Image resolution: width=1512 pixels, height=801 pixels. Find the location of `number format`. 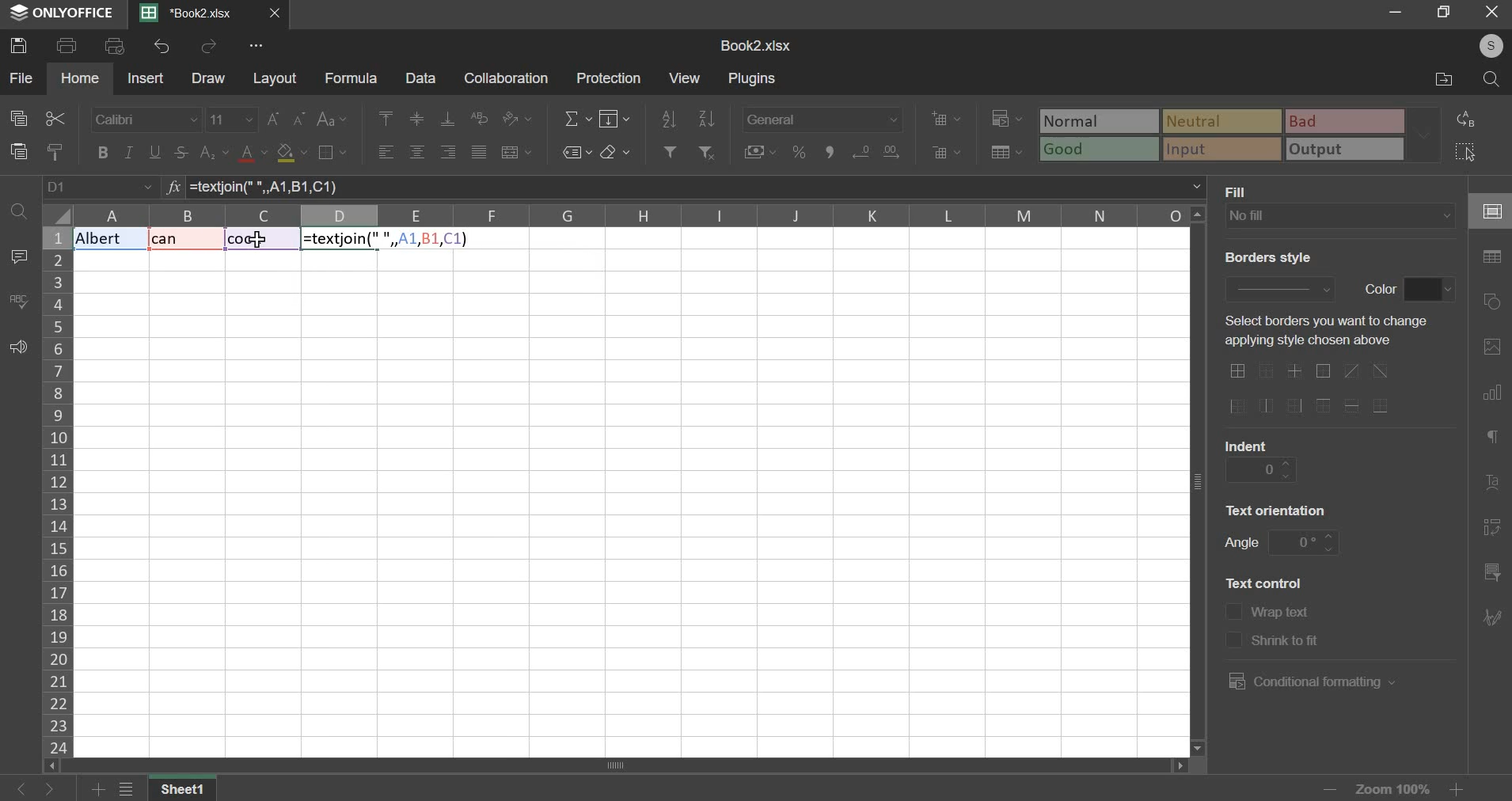

number format is located at coordinates (822, 117).